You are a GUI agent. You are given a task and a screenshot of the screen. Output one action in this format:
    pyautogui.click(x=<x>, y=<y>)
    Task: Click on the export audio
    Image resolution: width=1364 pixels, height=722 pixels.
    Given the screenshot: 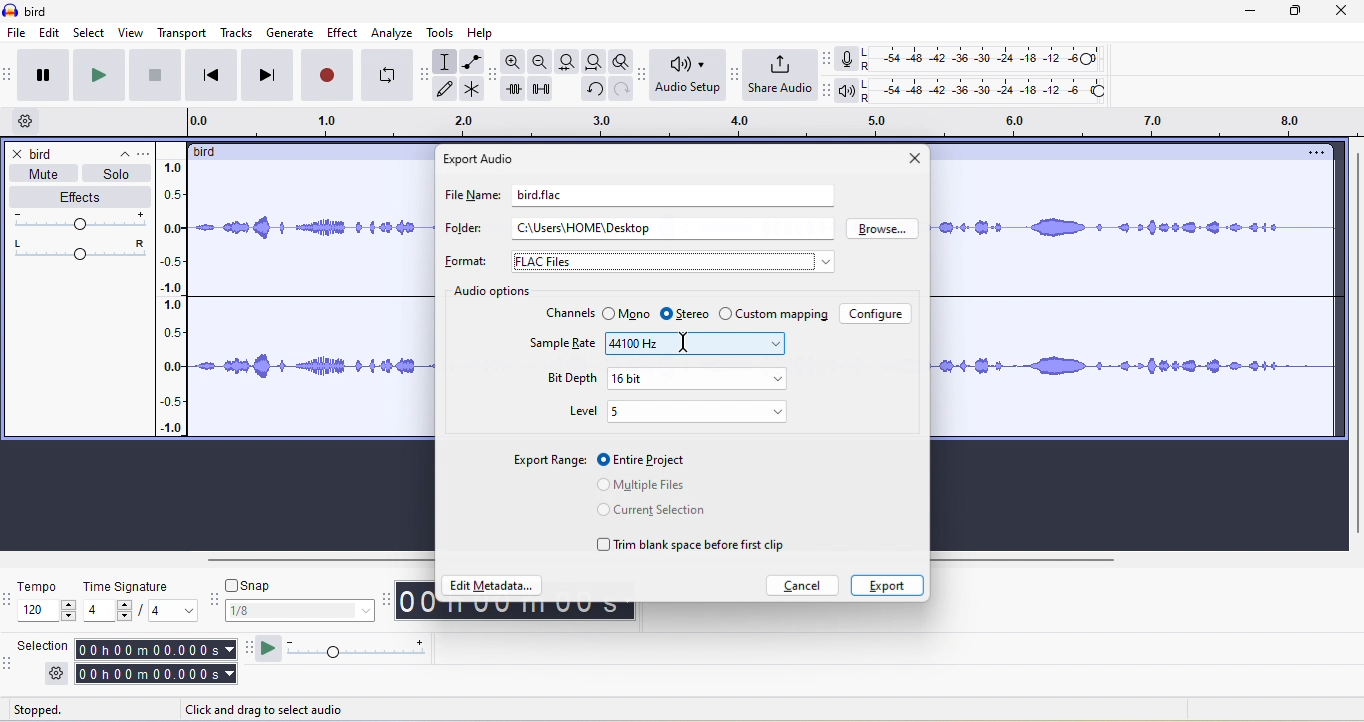 What is the action you would take?
    pyautogui.click(x=482, y=159)
    